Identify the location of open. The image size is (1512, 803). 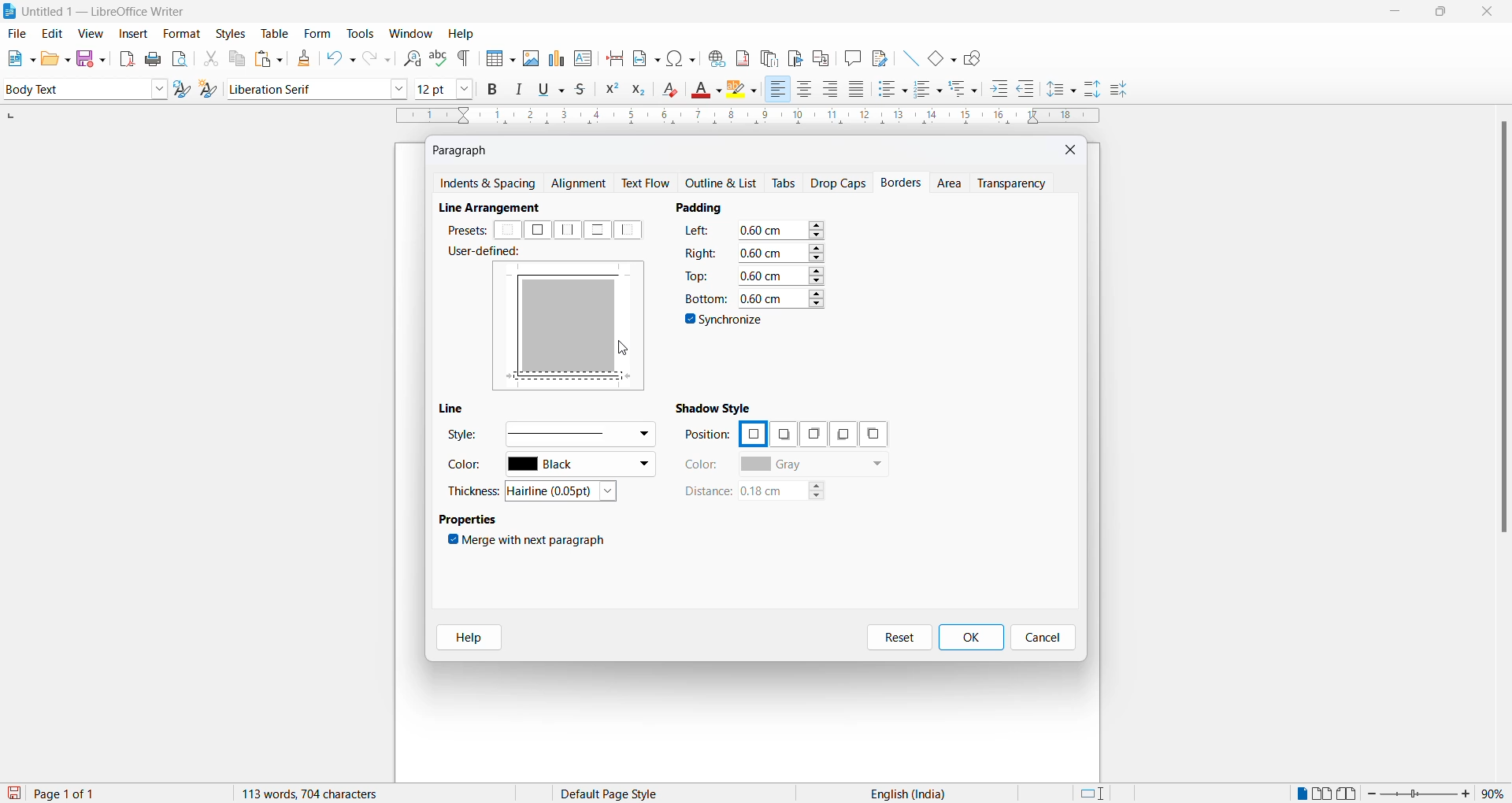
(55, 58).